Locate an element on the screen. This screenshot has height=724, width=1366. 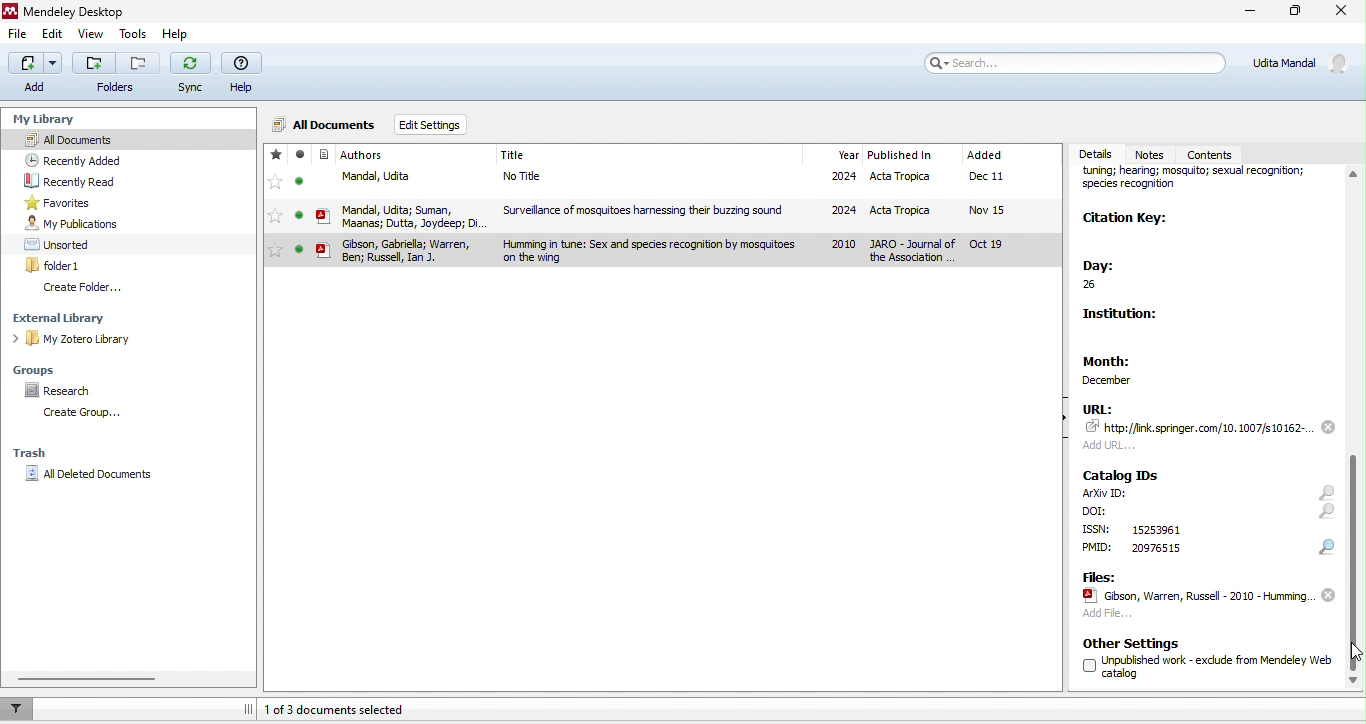
month: december is located at coordinates (1126, 366).